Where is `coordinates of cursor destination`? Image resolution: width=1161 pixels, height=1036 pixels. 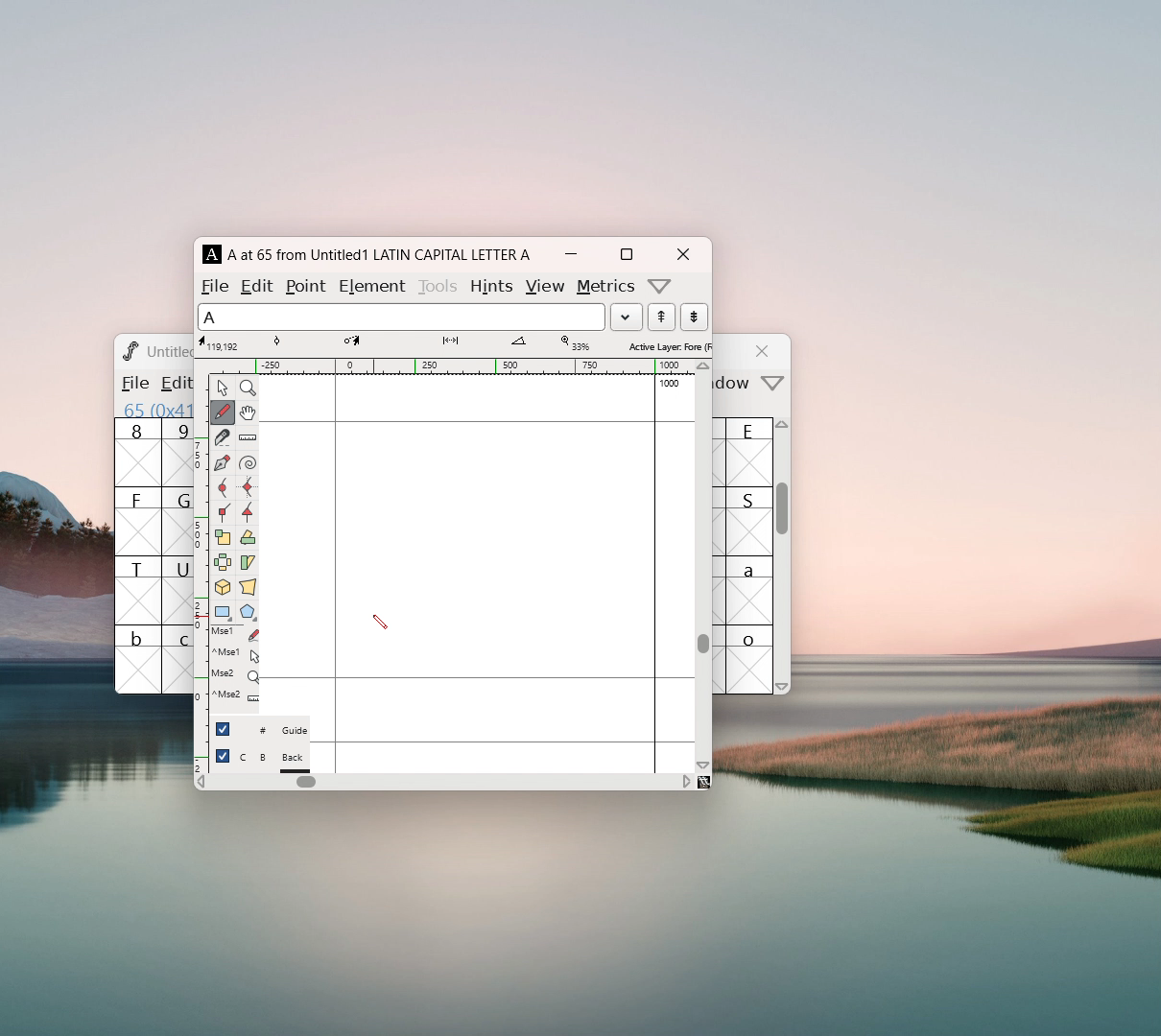
coordinates of cursor destination is located at coordinates (351, 343).